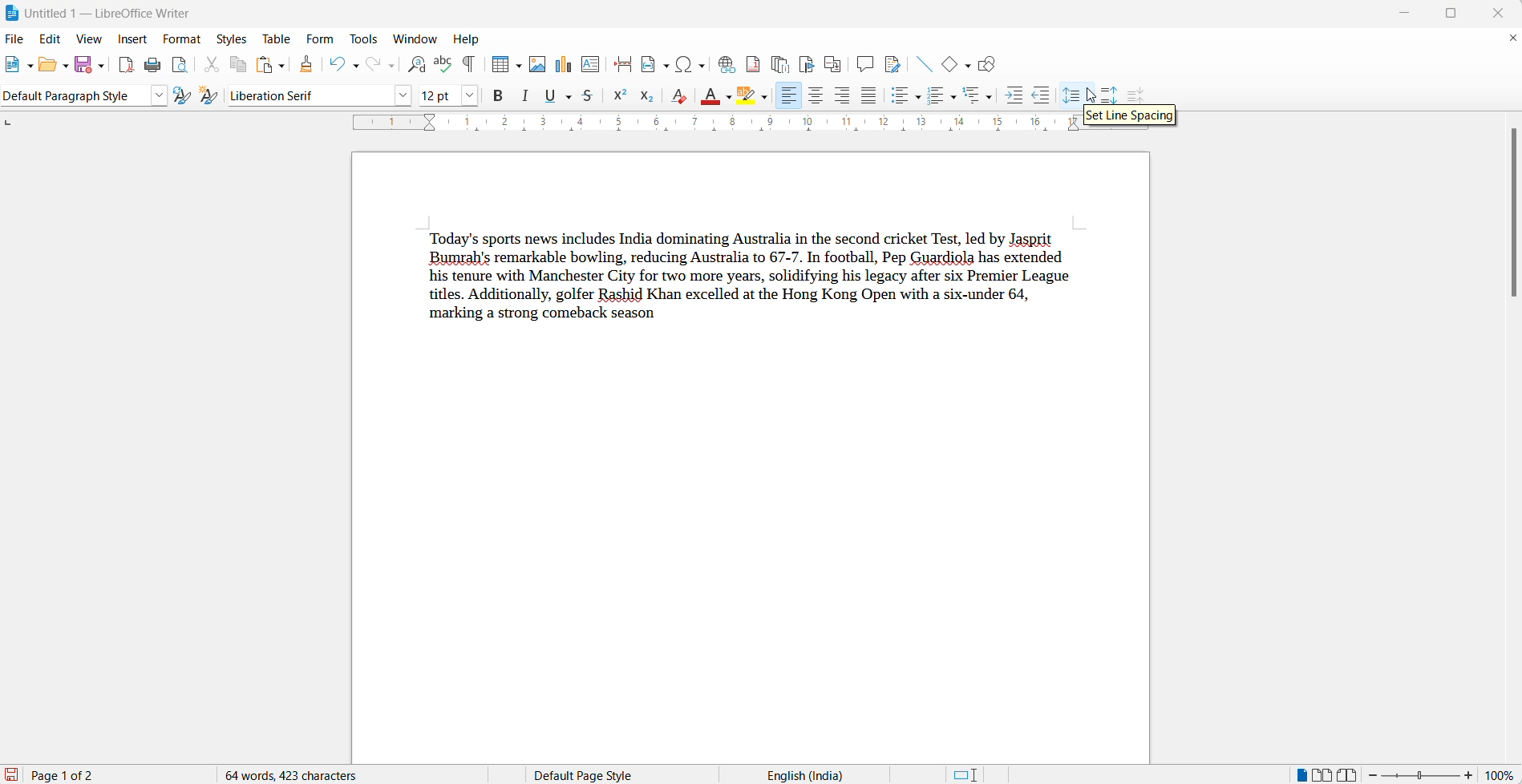 The image size is (1522, 784). What do you see at coordinates (804, 774) in the screenshot?
I see `text language` at bounding box center [804, 774].